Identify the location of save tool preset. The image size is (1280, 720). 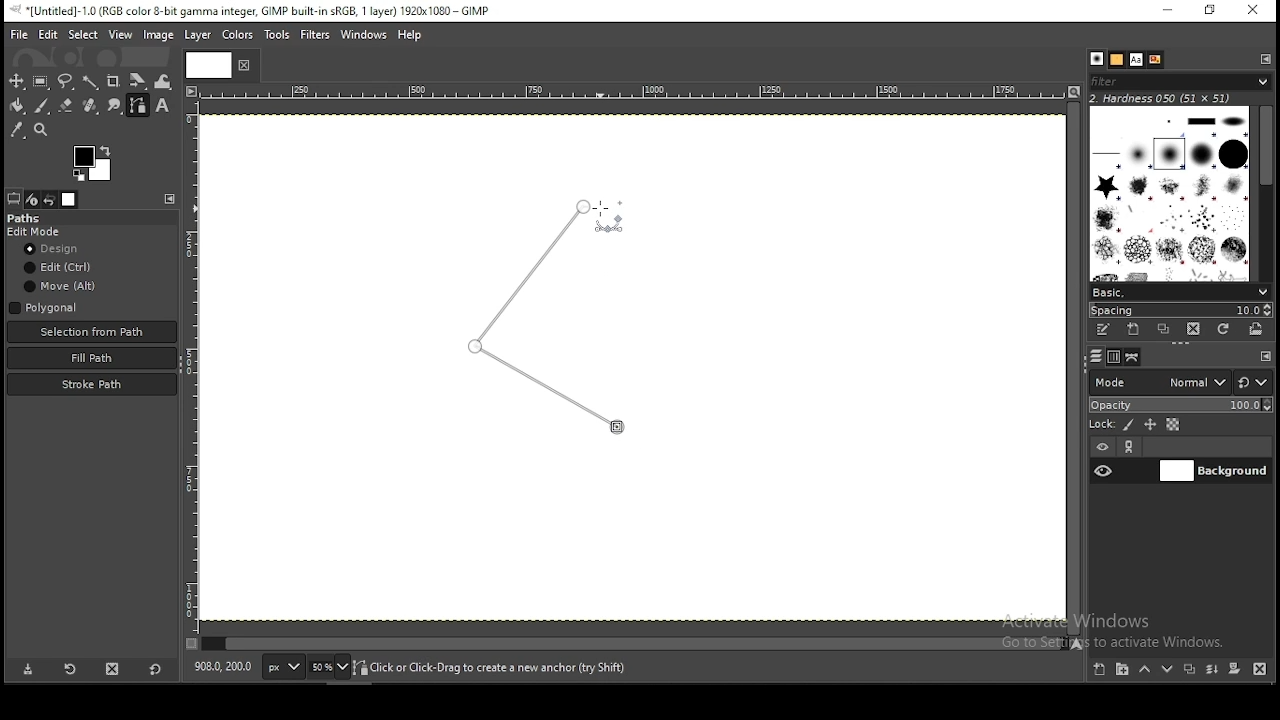
(25, 670).